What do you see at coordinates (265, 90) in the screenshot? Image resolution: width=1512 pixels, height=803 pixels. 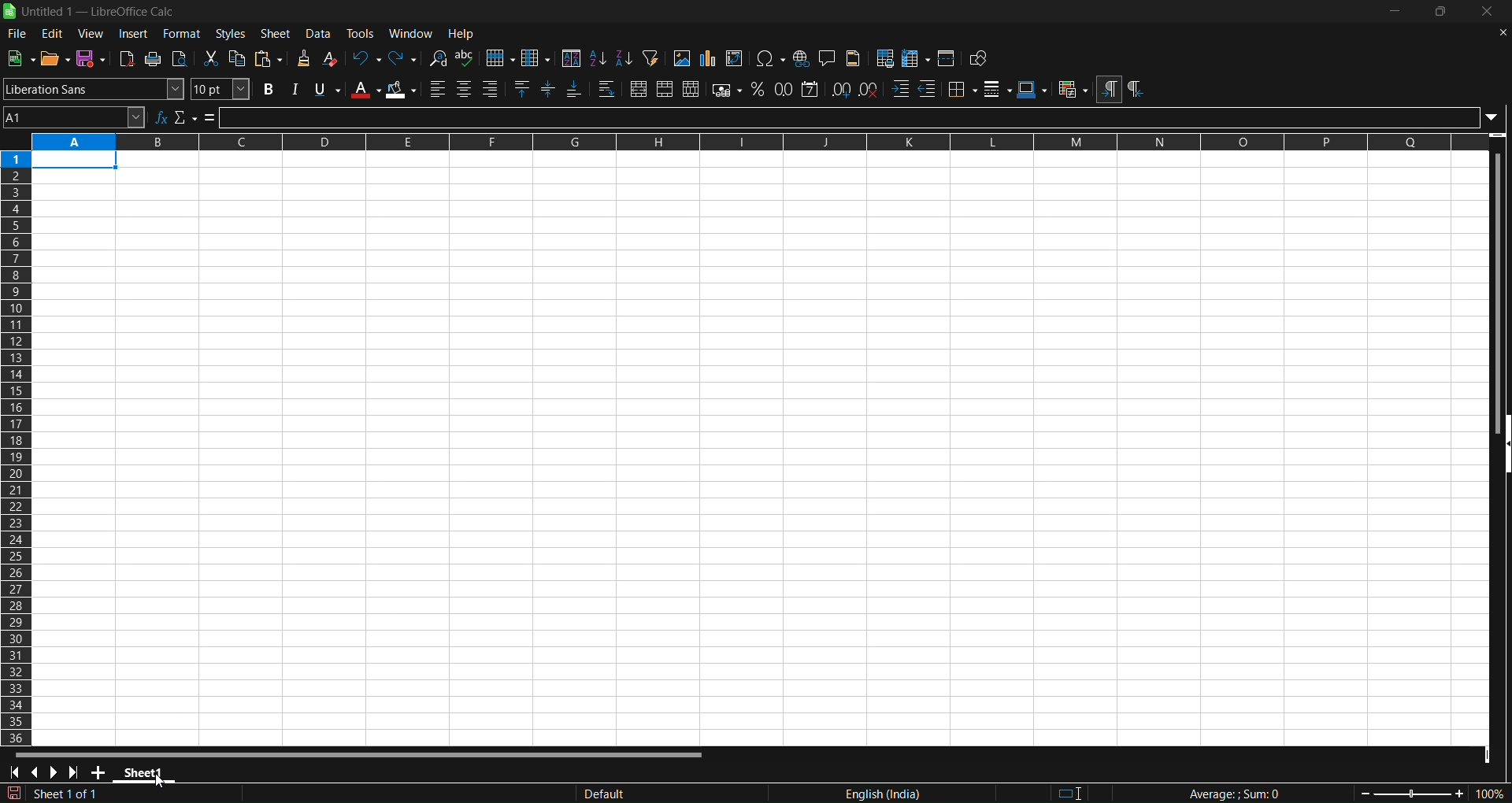 I see `bold` at bounding box center [265, 90].